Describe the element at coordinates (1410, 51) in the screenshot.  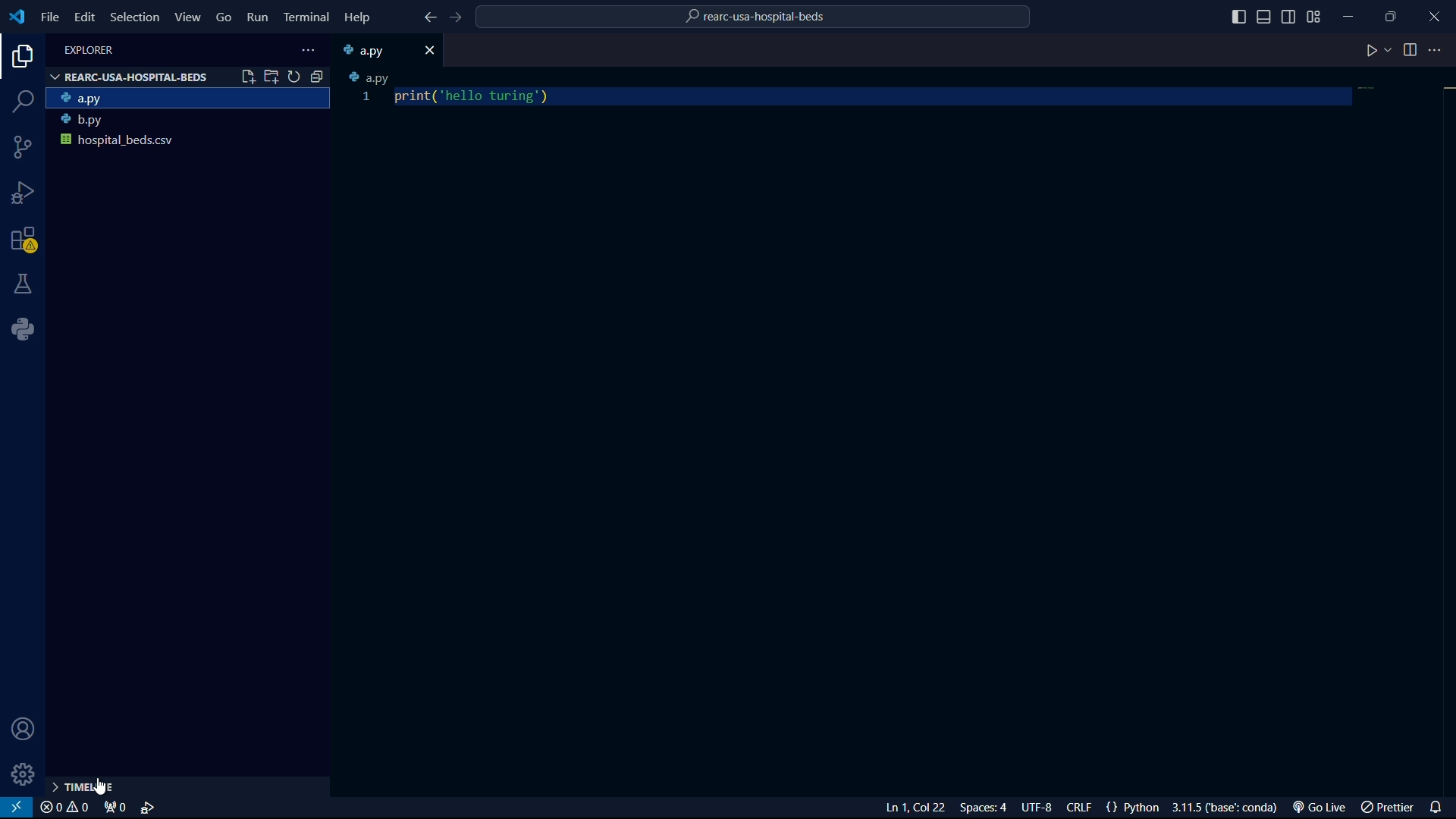
I see `split editor right` at that location.